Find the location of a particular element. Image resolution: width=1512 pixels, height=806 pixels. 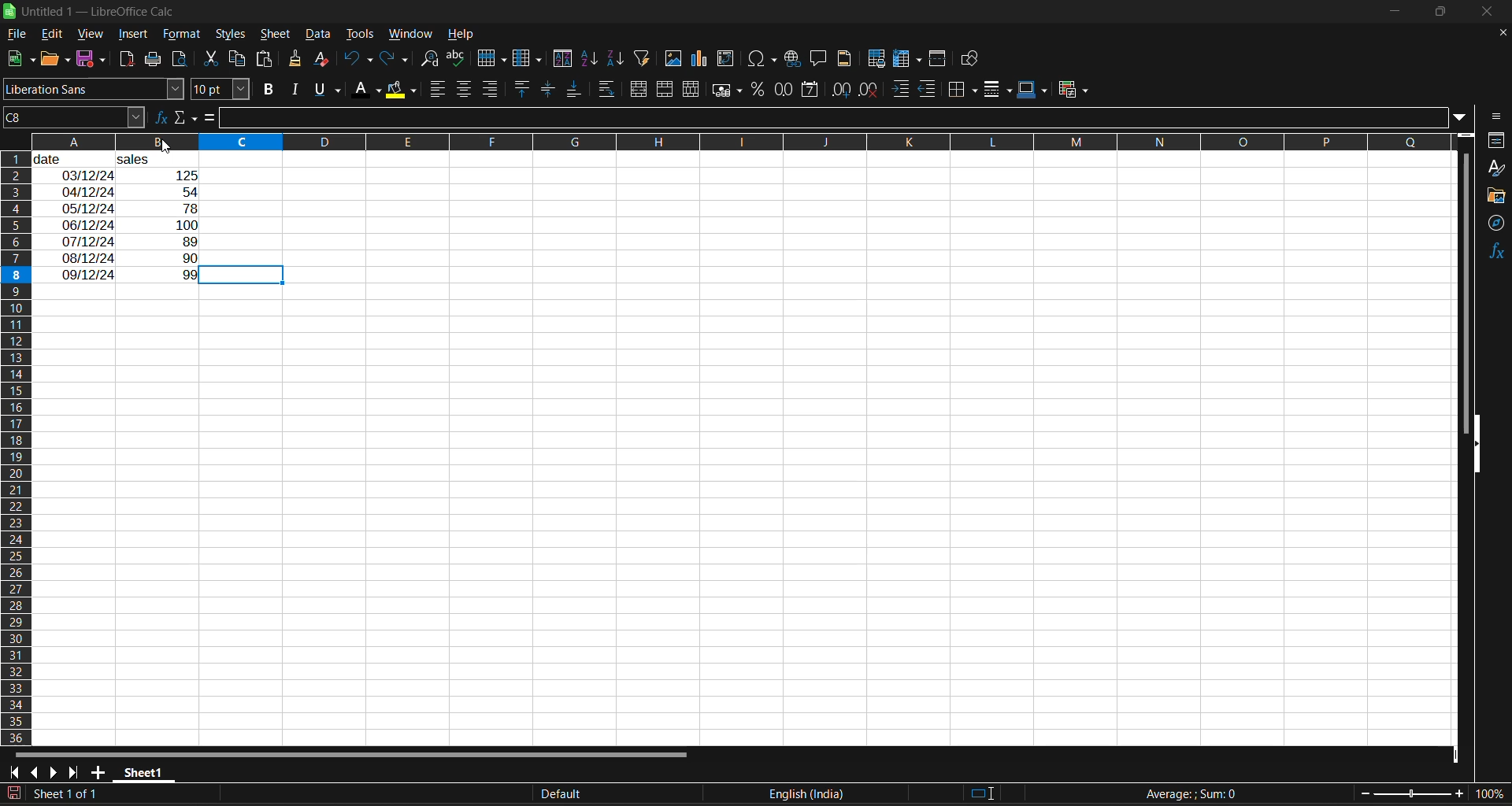

increase indent is located at coordinates (901, 89).